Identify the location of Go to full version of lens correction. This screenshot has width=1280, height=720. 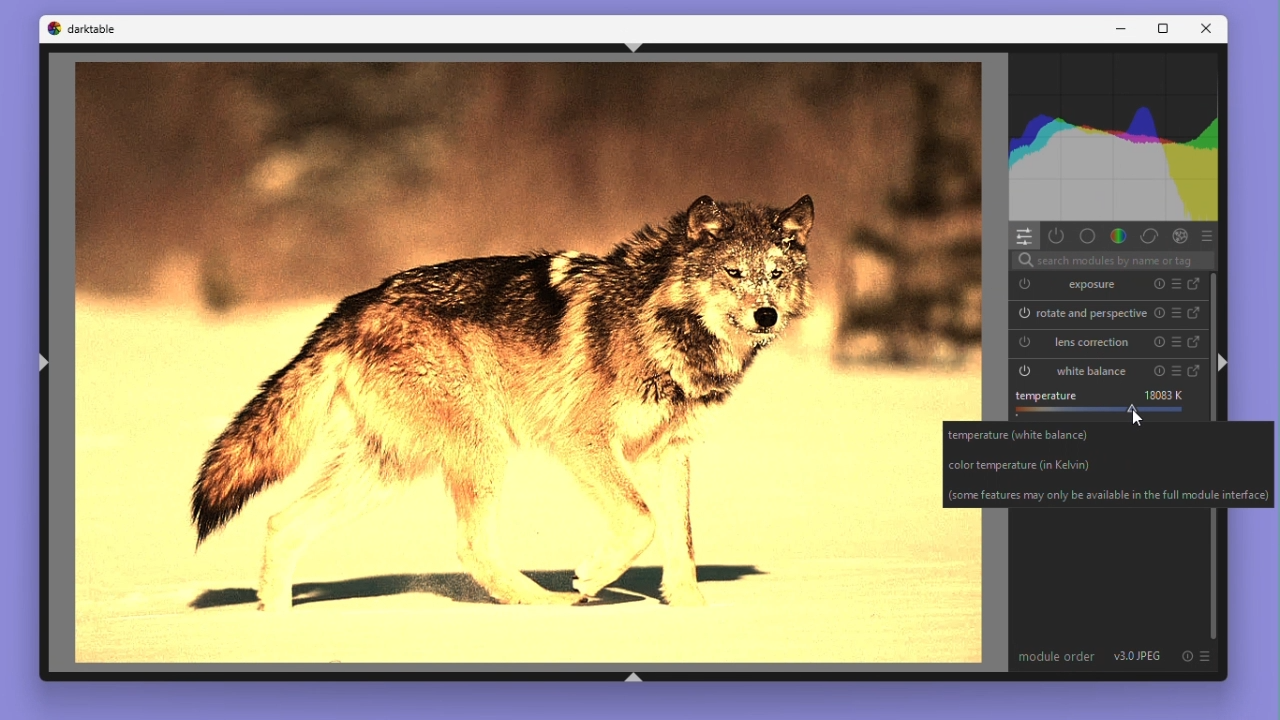
(1195, 343).